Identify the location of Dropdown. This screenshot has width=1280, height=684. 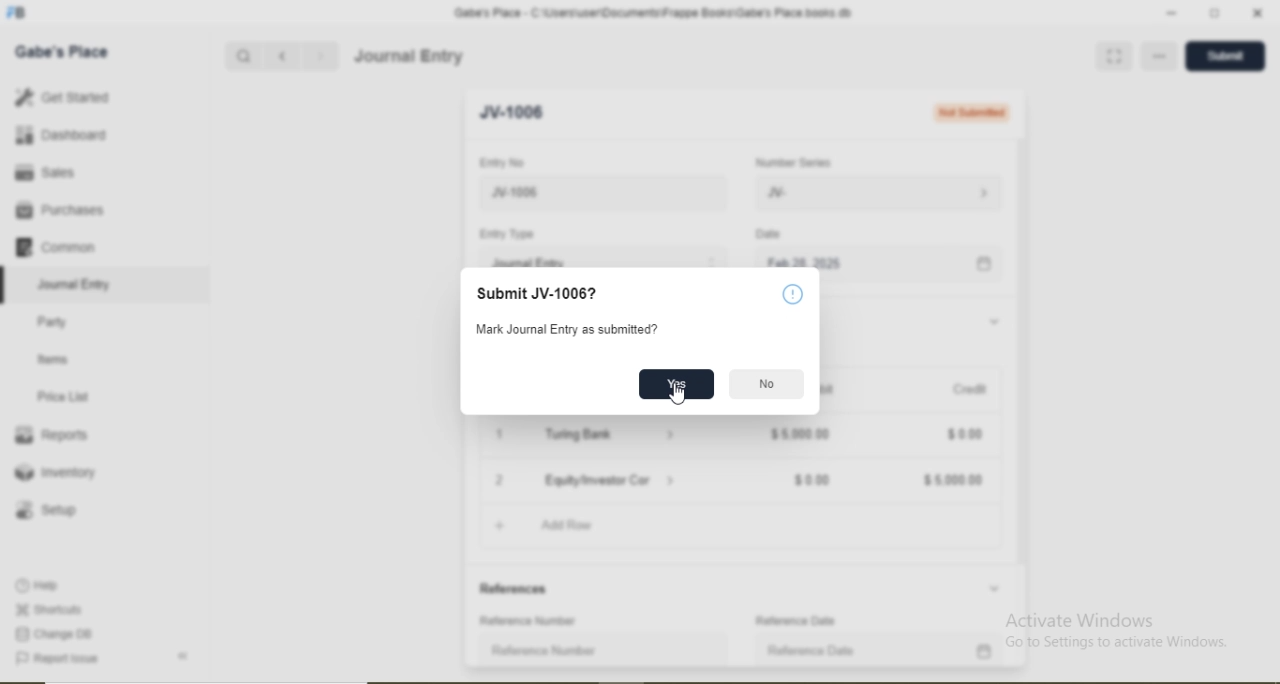
(994, 588).